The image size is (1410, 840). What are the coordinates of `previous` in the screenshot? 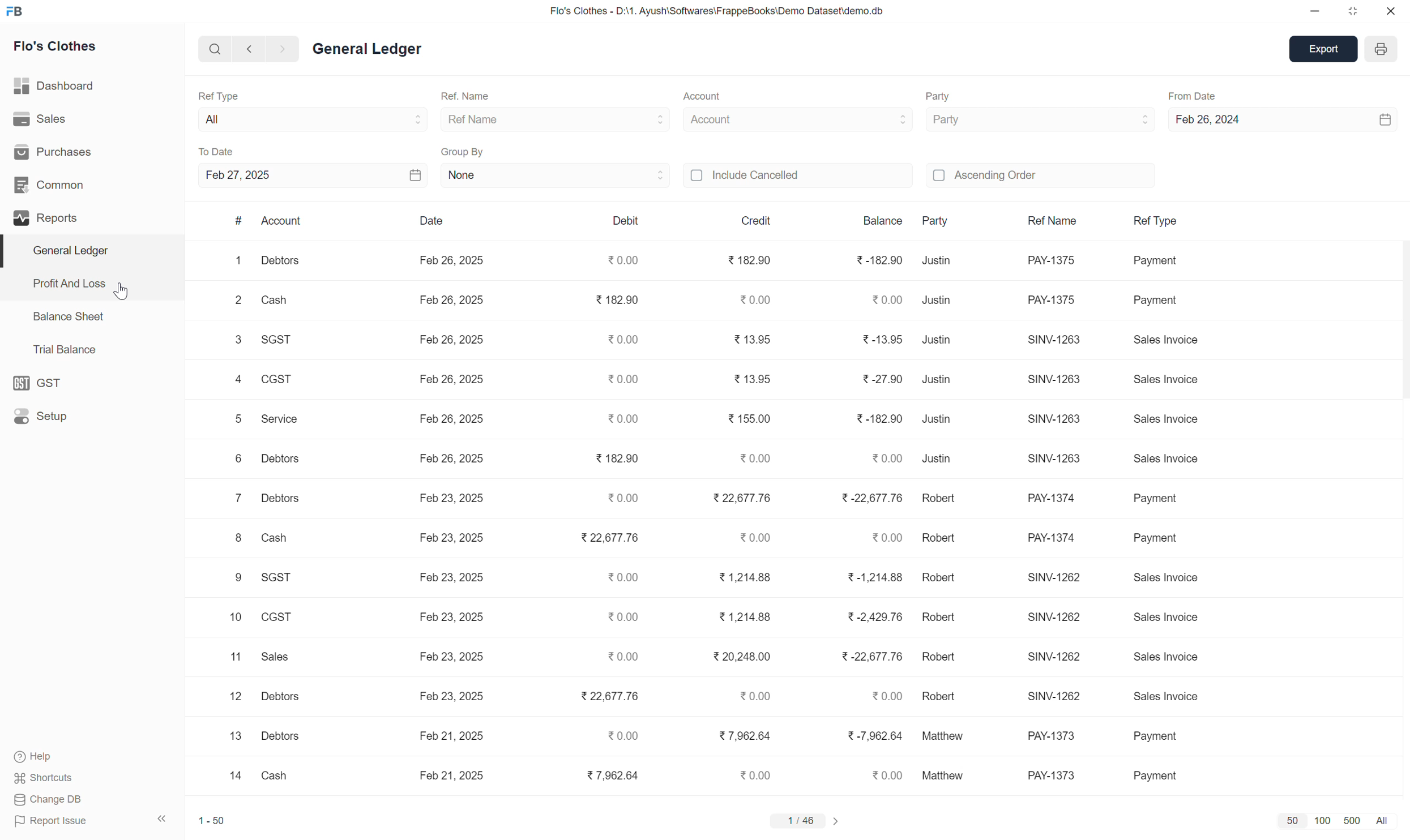 It's located at (249, 48).